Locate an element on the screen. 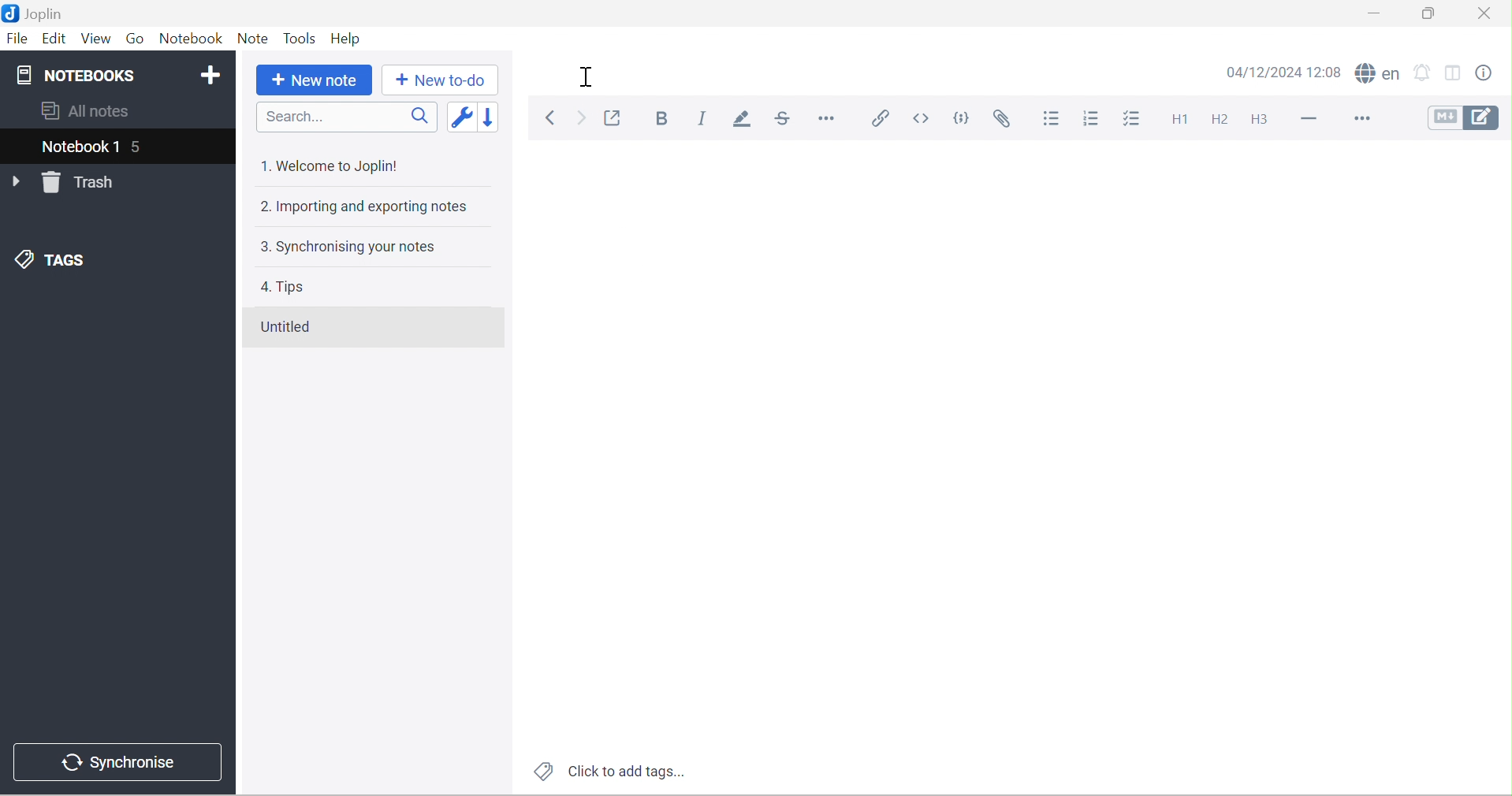 This screenshot has width=1512, height=796. 3. Synchronising your notes is located at coordinates (357, 247).